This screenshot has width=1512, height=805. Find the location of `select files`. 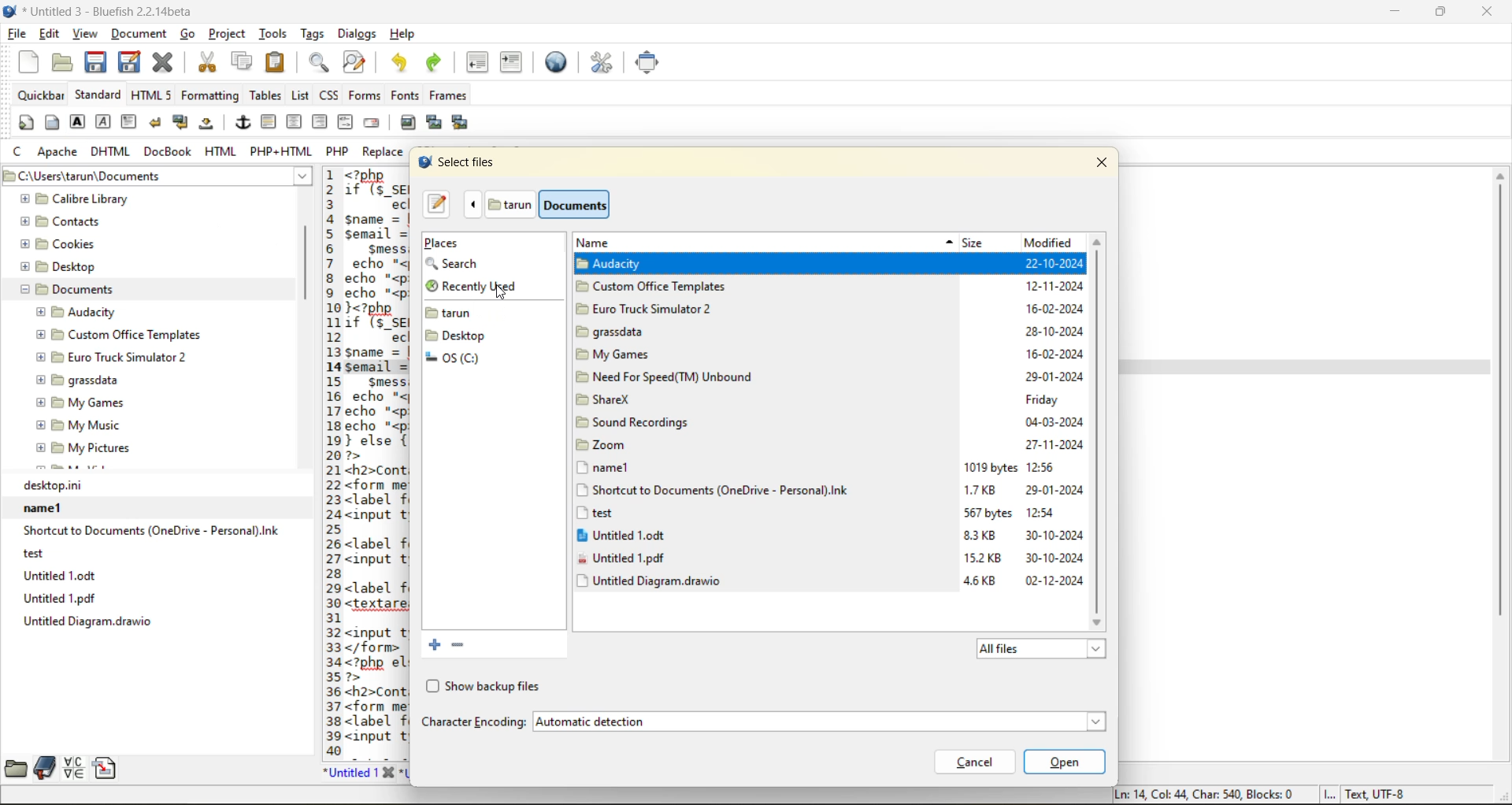

select files is located at coordinates (454, 161).